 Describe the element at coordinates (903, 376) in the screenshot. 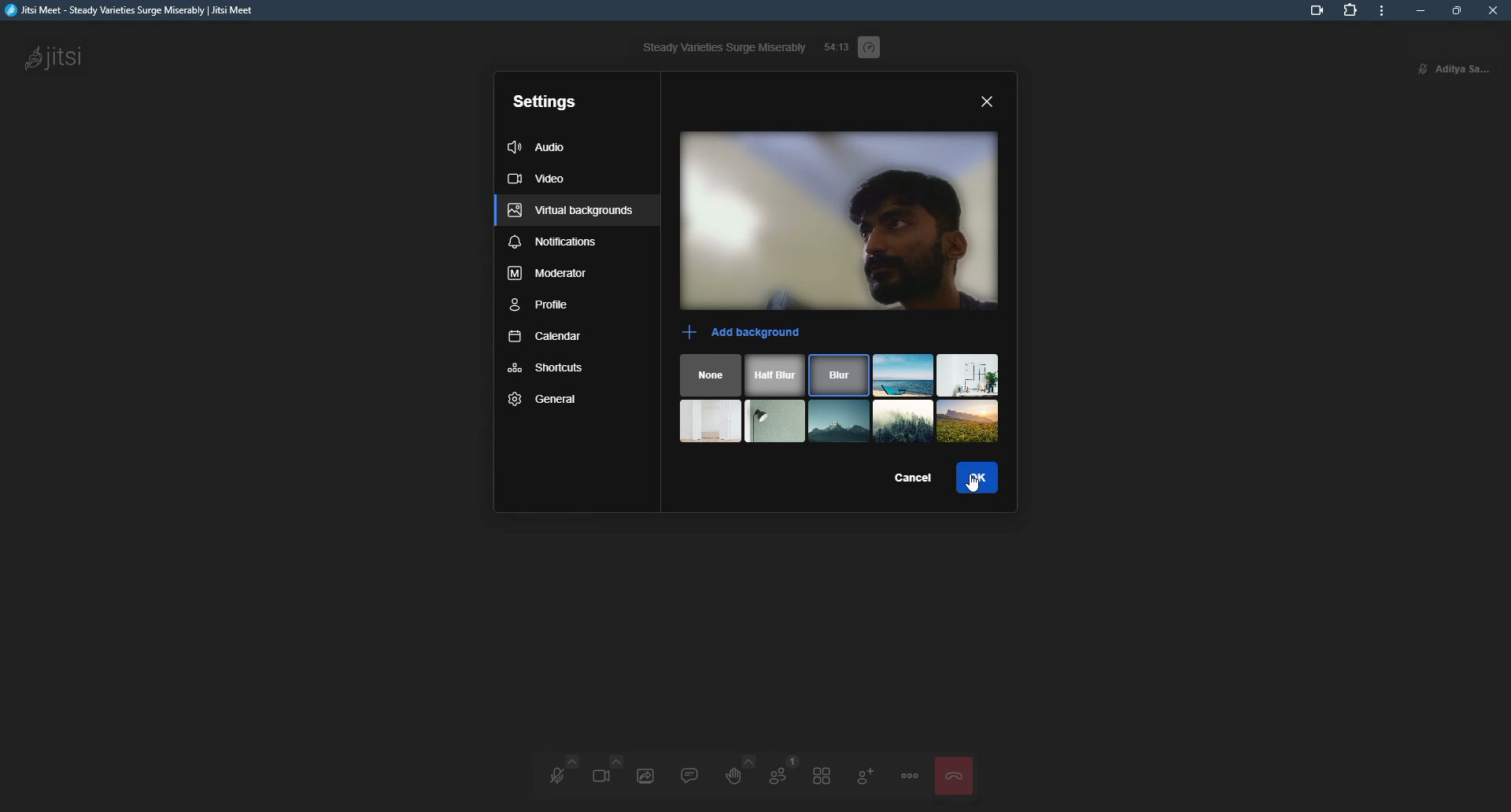

I see `scenery` at that location.